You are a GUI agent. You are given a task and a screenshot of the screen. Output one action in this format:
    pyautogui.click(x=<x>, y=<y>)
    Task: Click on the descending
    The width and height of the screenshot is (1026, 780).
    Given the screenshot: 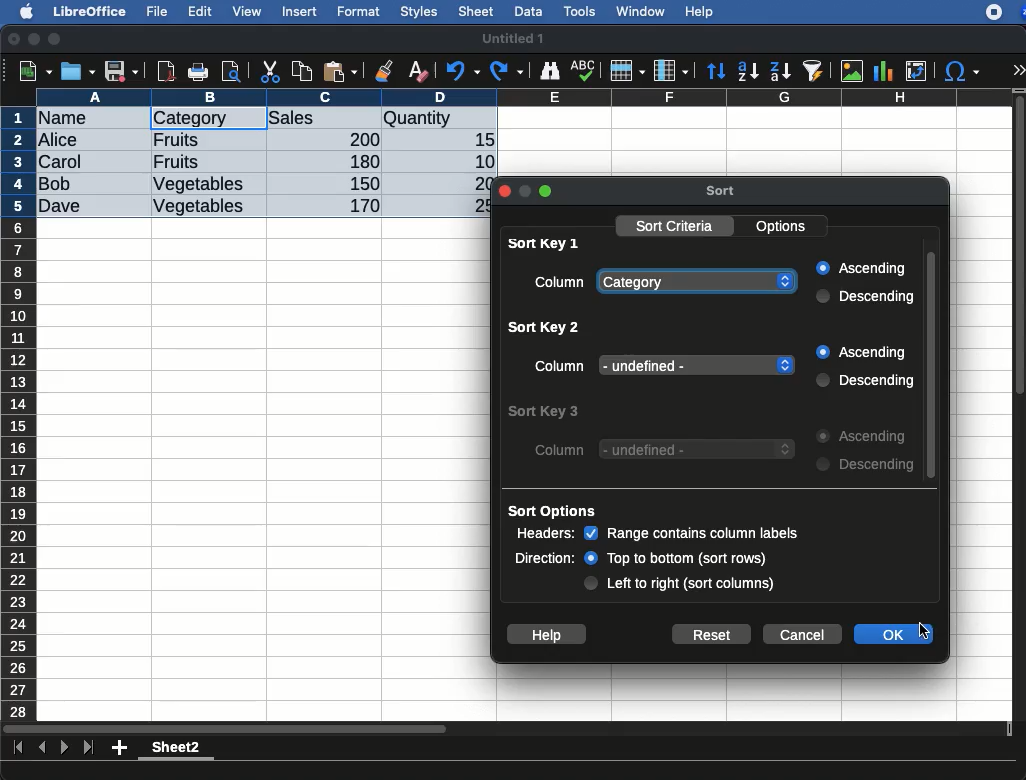 What is the action you would take?
    pyautogui.click(x=866, y=295)
    